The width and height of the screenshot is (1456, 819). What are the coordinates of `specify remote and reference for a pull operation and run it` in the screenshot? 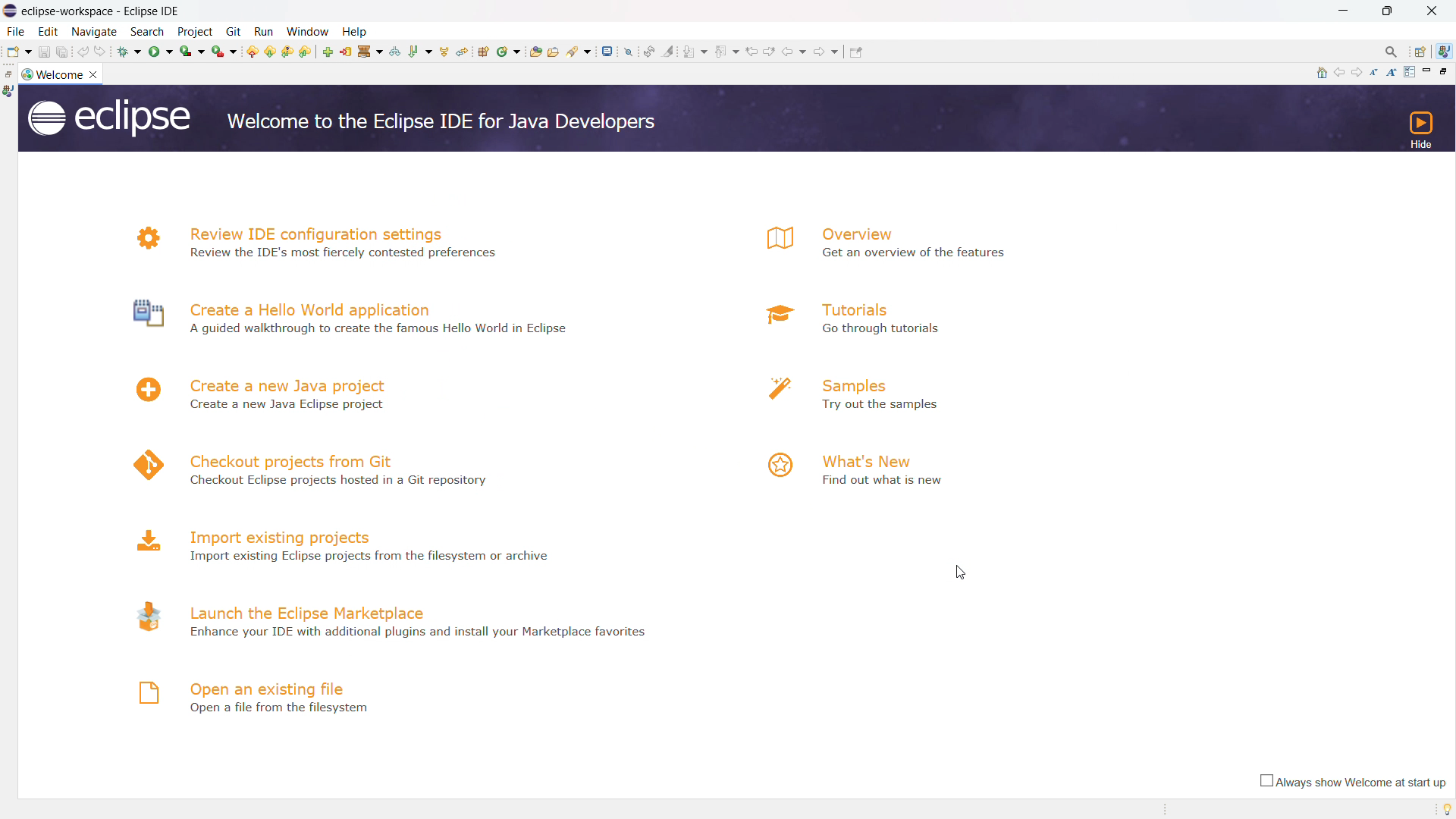 It's located at (289, 52).